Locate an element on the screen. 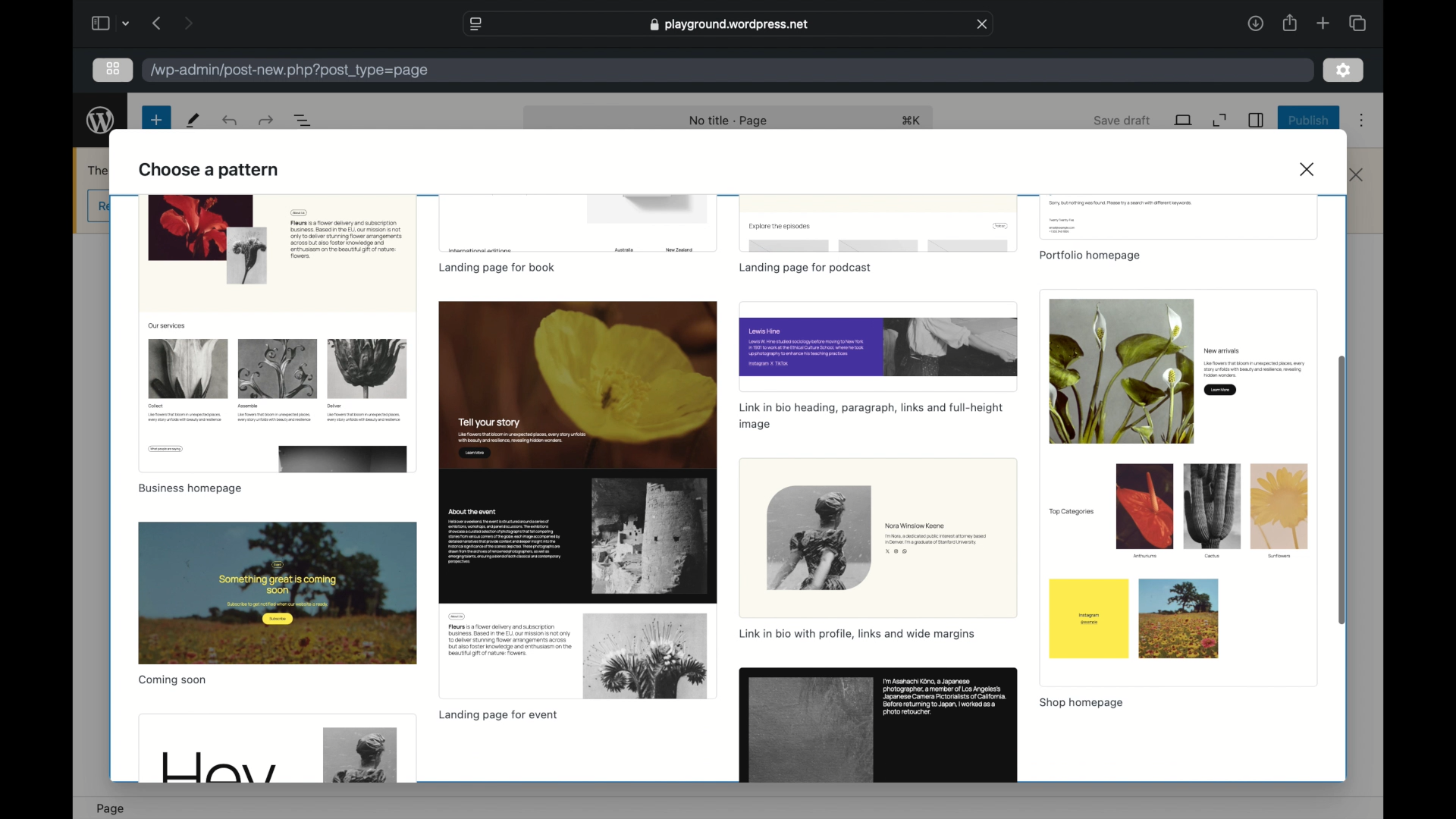 This screenshot has height=819, width=1456. sidebar is located at coordinates (1257, 120).